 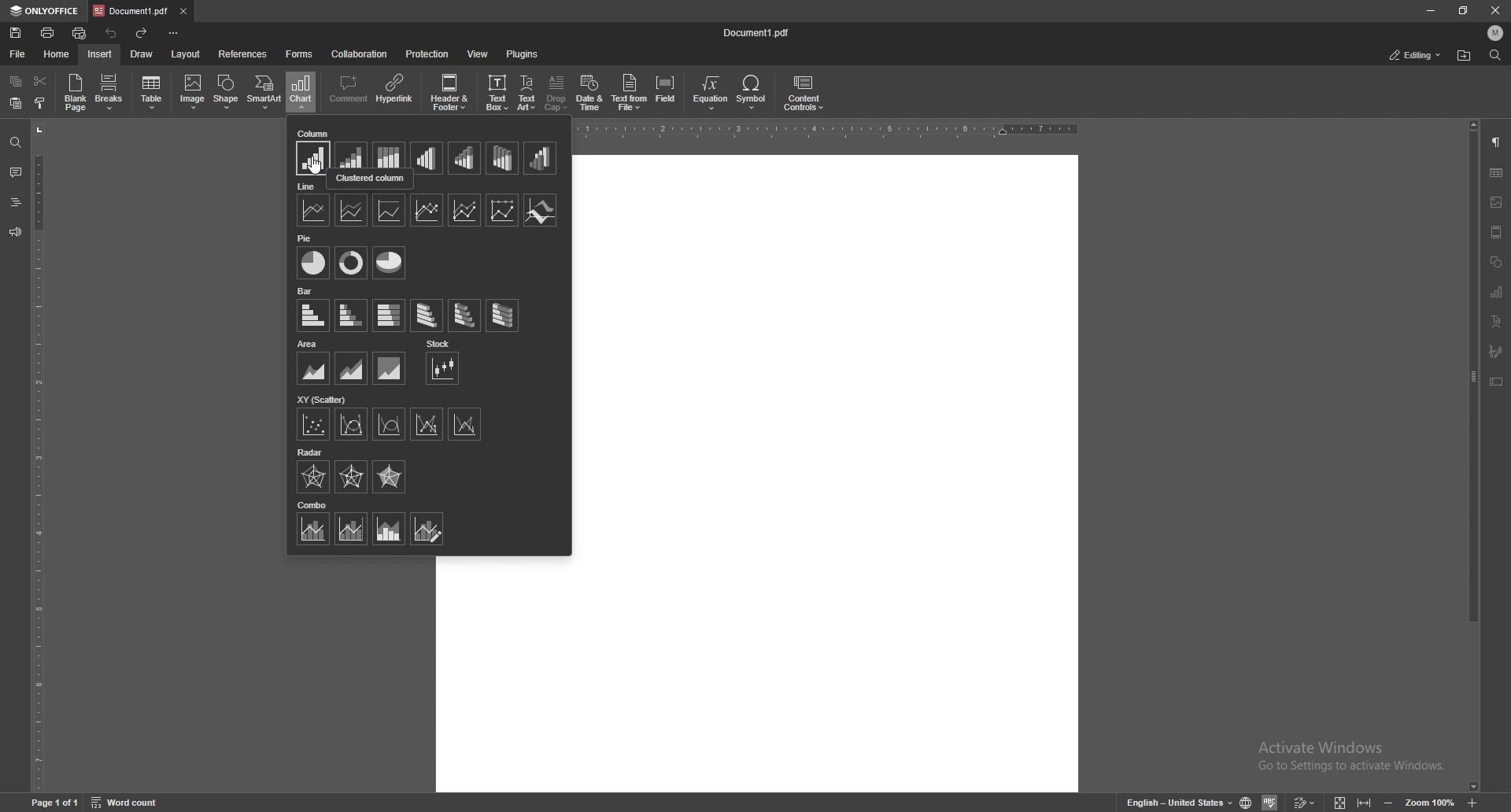 What do you see at coordinates (142, 33) in the screenshot?
I see `redo` at bounding box center [142, 33].